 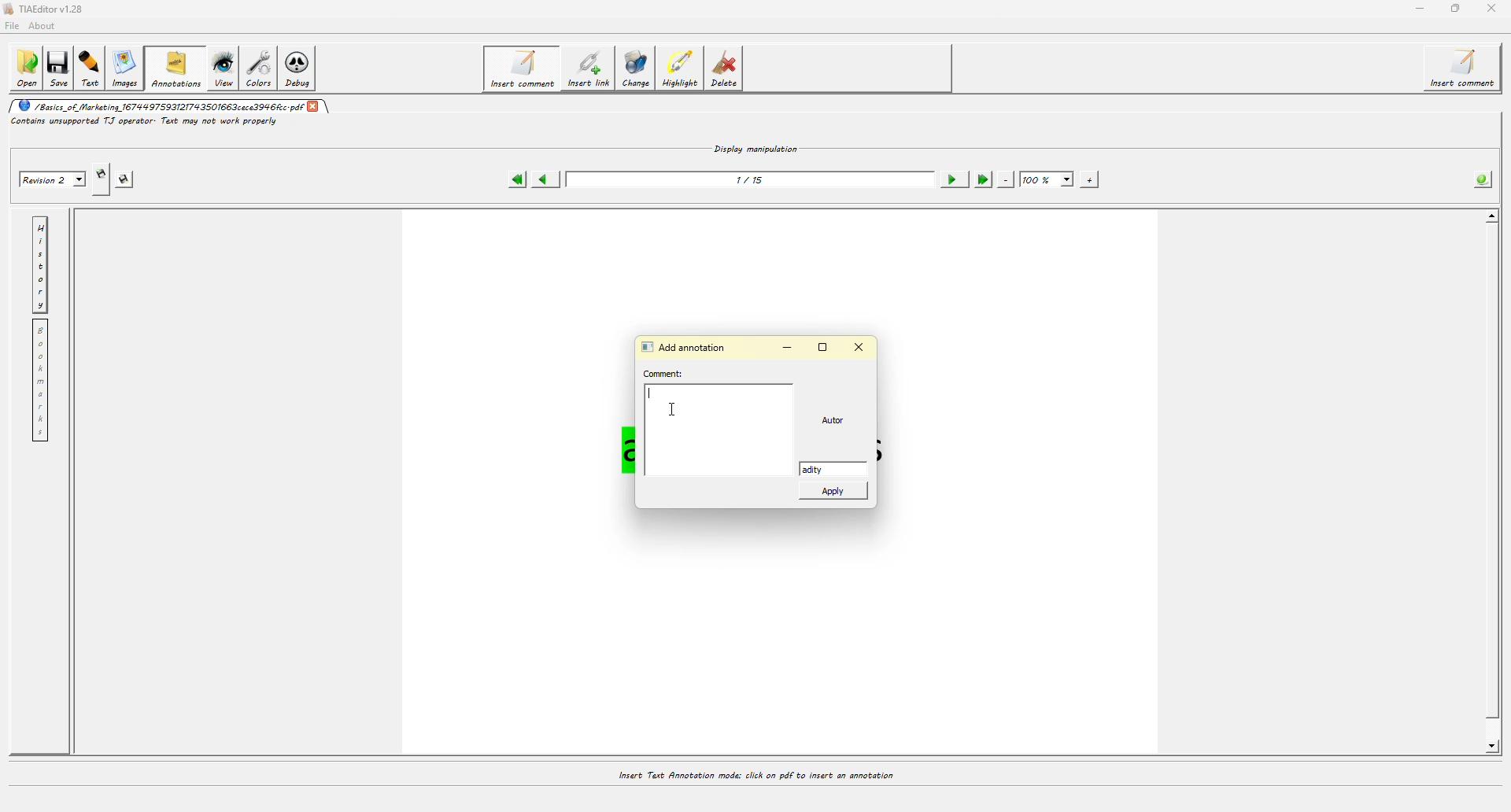 What do you see at coordinates (639, 72) in the screenshot?
I see `change` at bounding box center [639, 72].